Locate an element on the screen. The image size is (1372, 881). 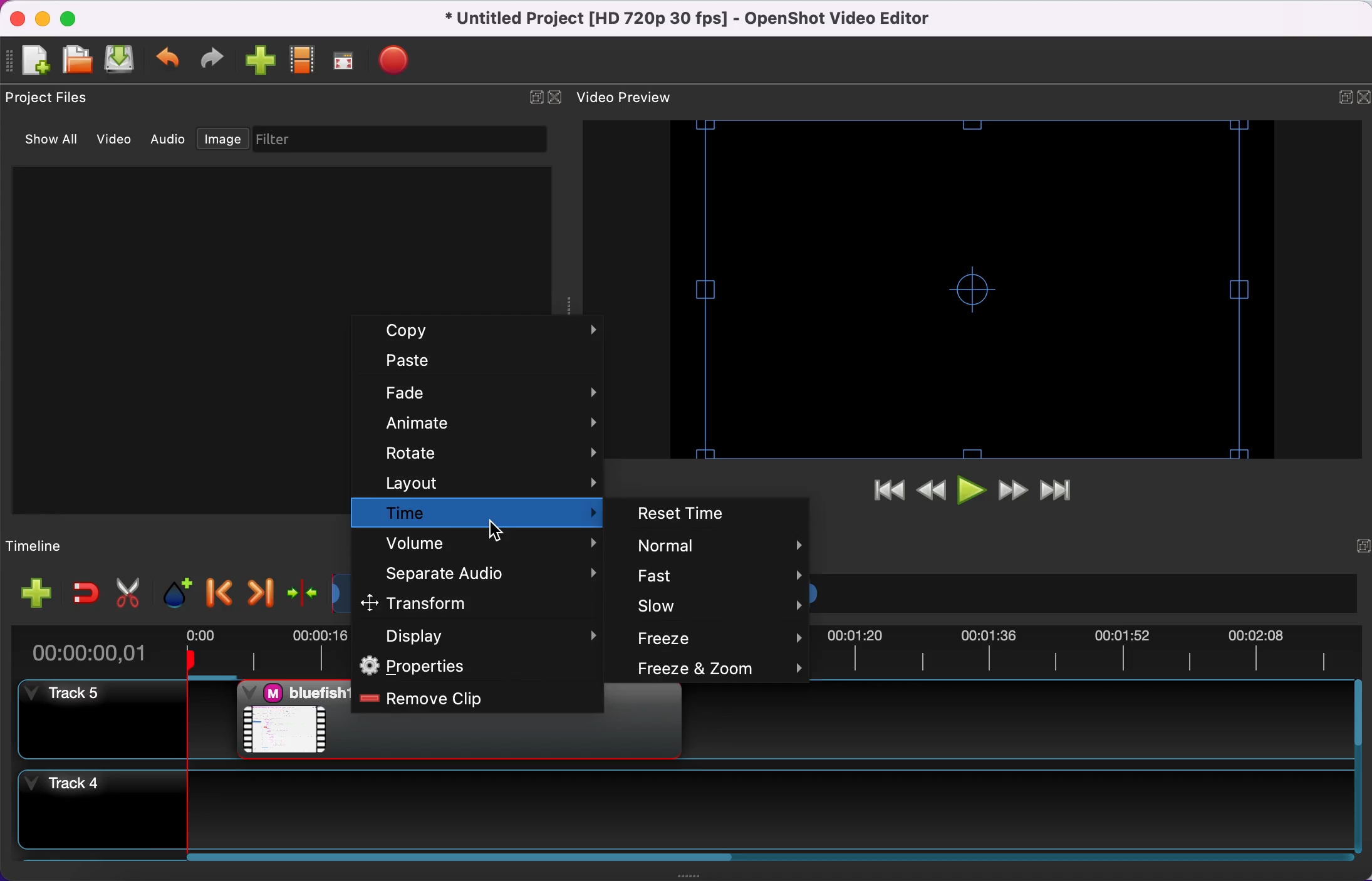
add file is located at coordinates (38, 593).